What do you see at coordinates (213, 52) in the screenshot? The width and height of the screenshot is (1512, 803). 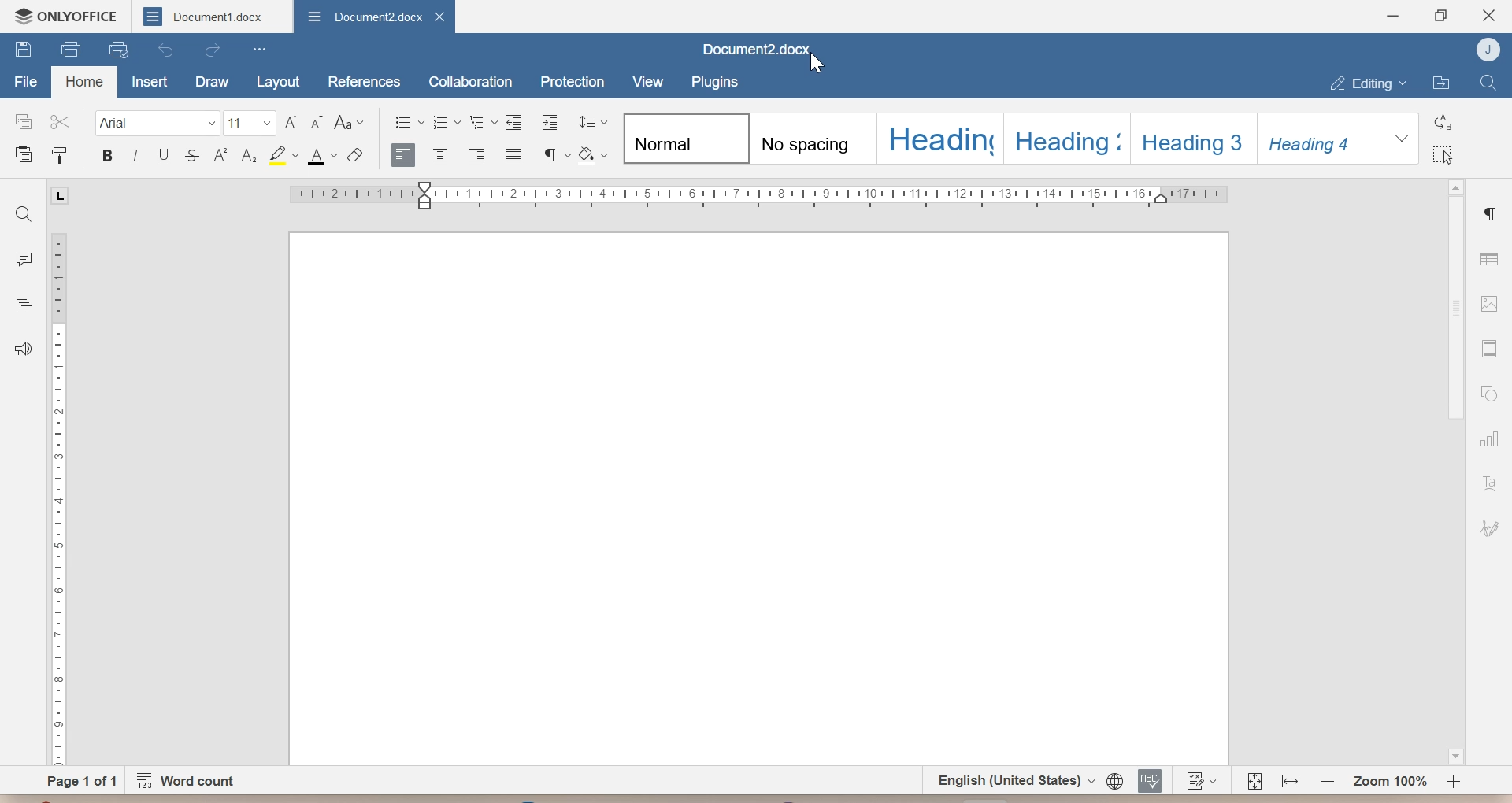 I see `Redo` at bounding box center [213, 52].